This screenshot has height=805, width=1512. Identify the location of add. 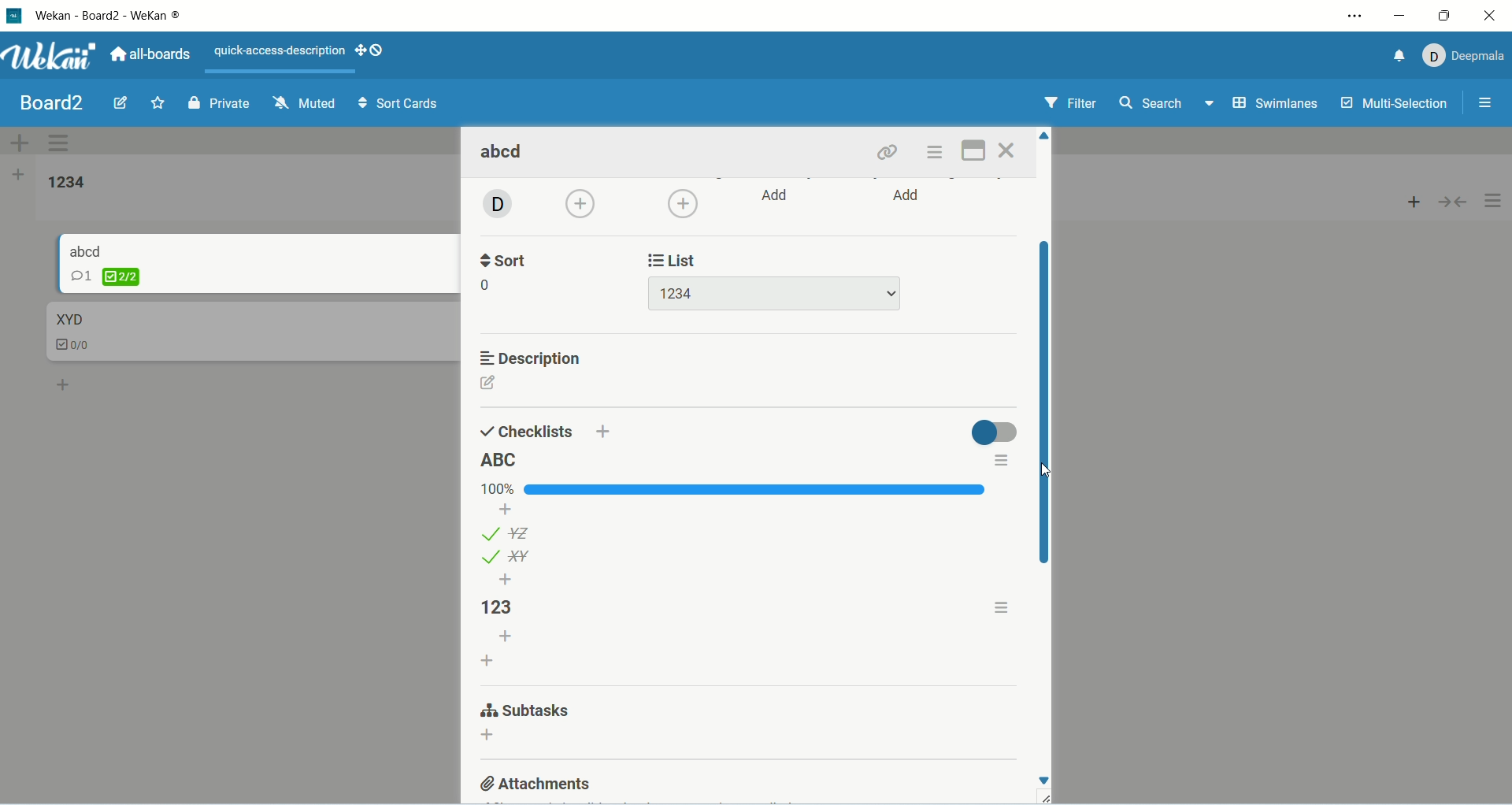
(487, 737).